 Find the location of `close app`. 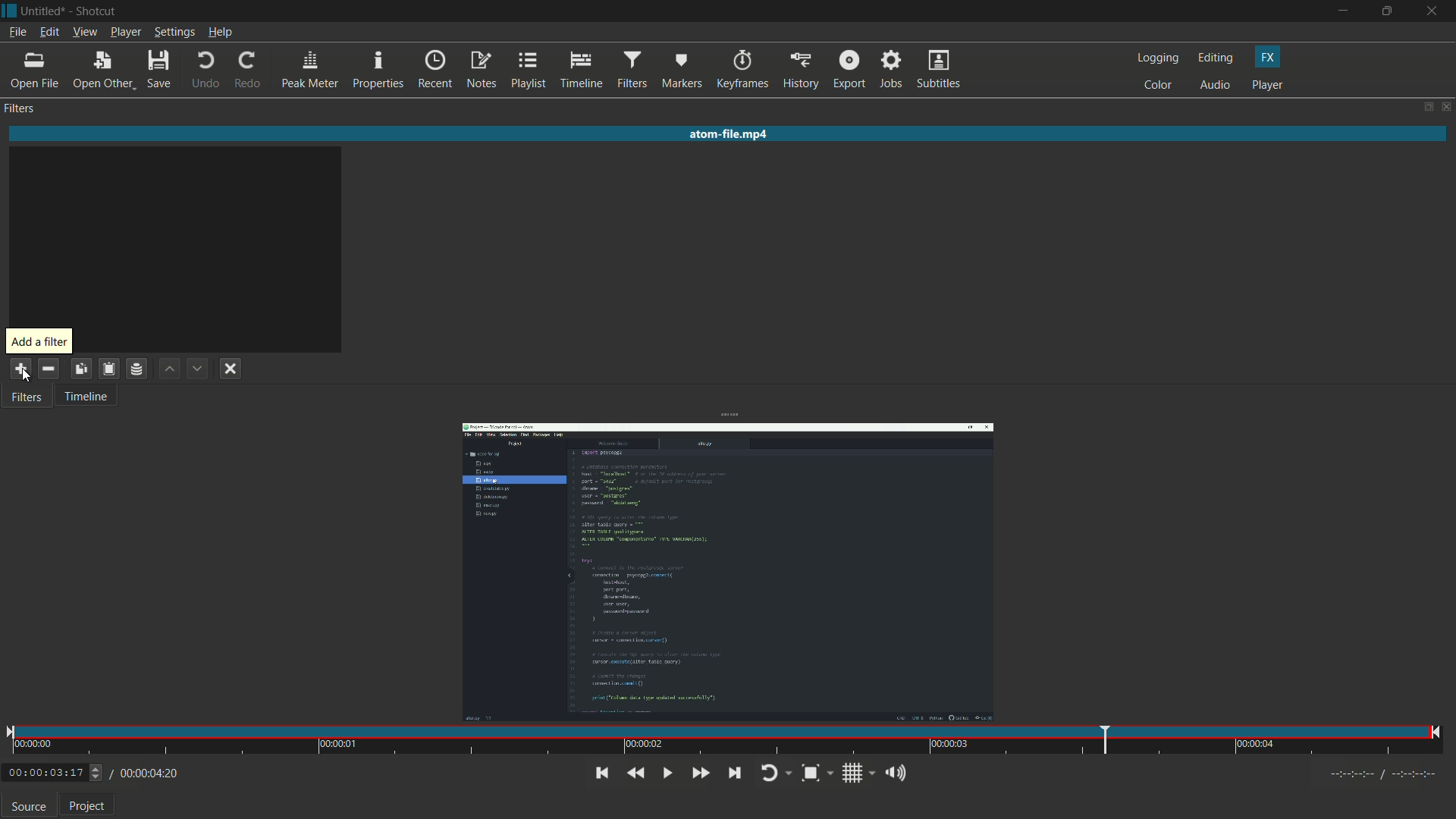

close app is located at coordinates (1435, 11).